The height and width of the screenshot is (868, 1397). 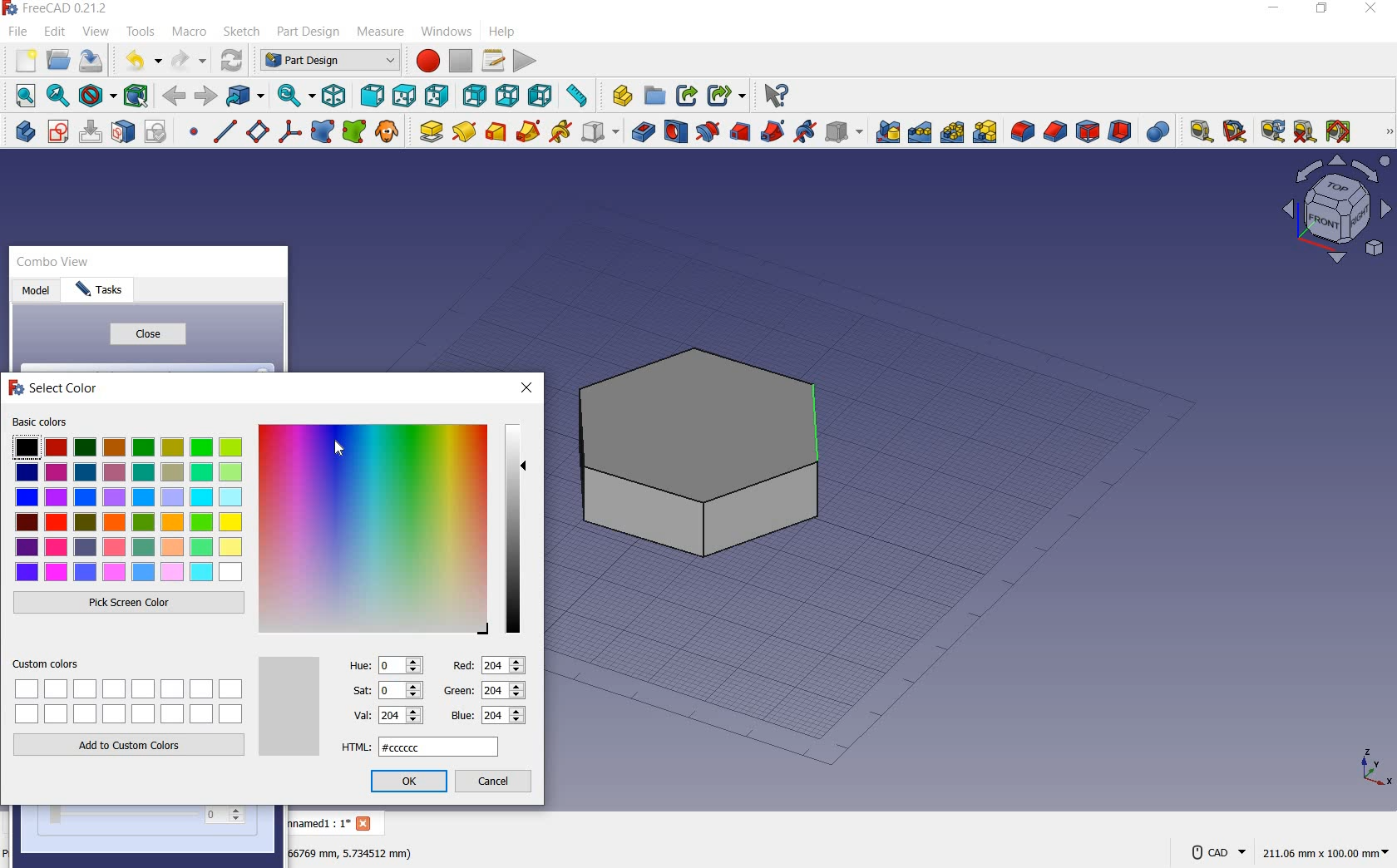 I want to click on unnamed1 : 1*, so click(x=318, y=822).